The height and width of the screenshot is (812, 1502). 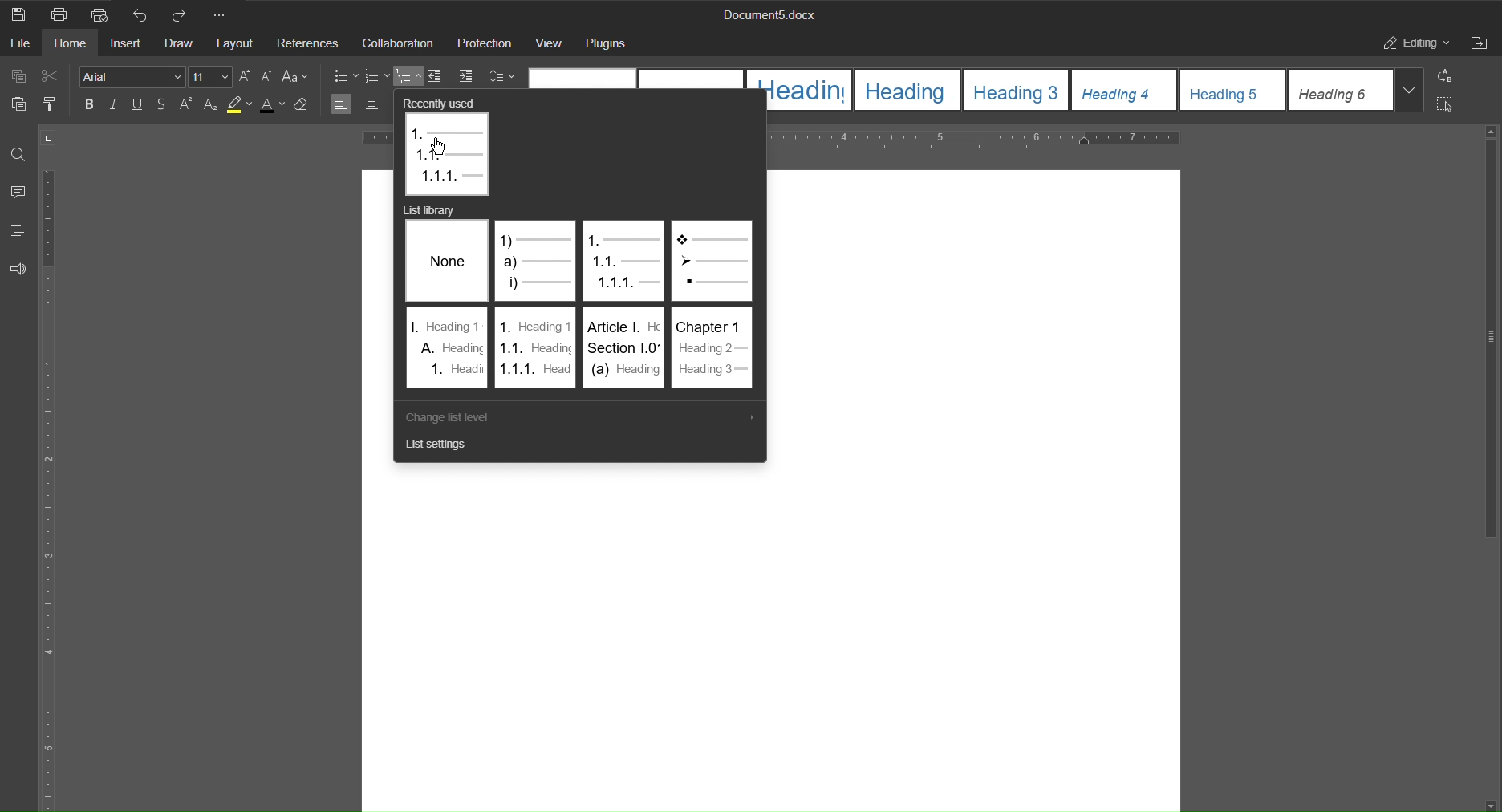 What do you see at coordinates (55, 105) in the screenshot?
I see `Copy Style` at bounding box center [55, 105].